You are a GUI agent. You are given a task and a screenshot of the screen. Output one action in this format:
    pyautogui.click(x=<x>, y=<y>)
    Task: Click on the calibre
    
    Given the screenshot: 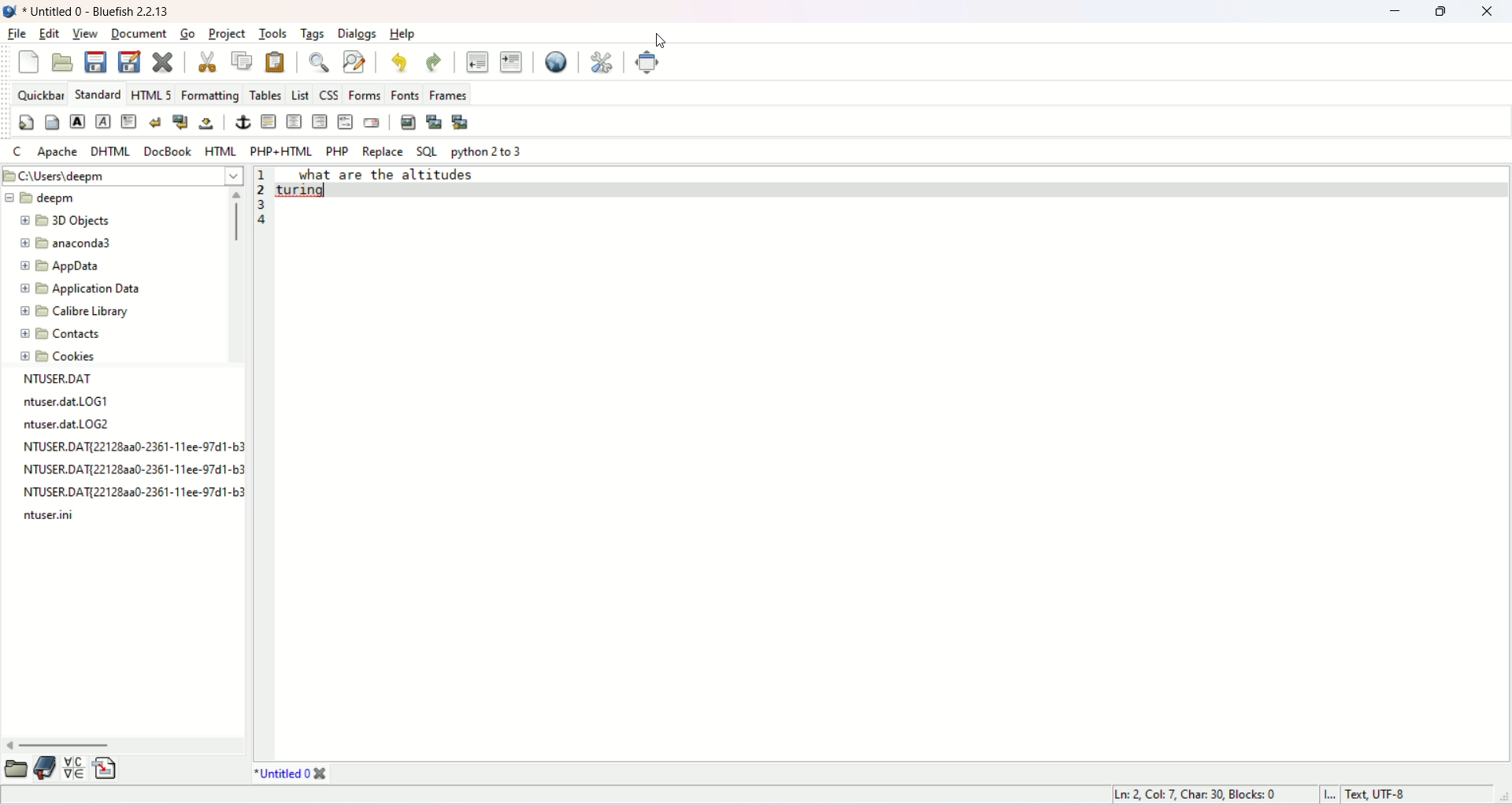 What is the action you would take?
    pyautogui.click(x=74, y=313)
    